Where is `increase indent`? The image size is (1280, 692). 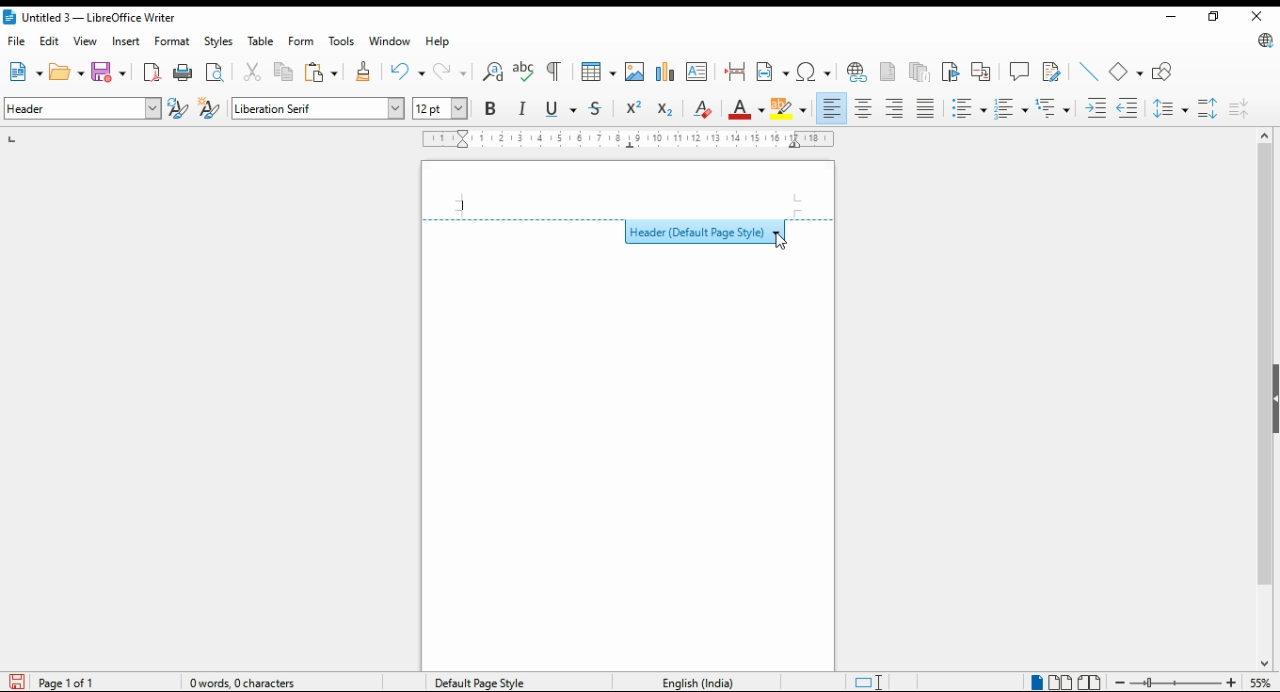
increase indent is located at coordinates (1097, 108).